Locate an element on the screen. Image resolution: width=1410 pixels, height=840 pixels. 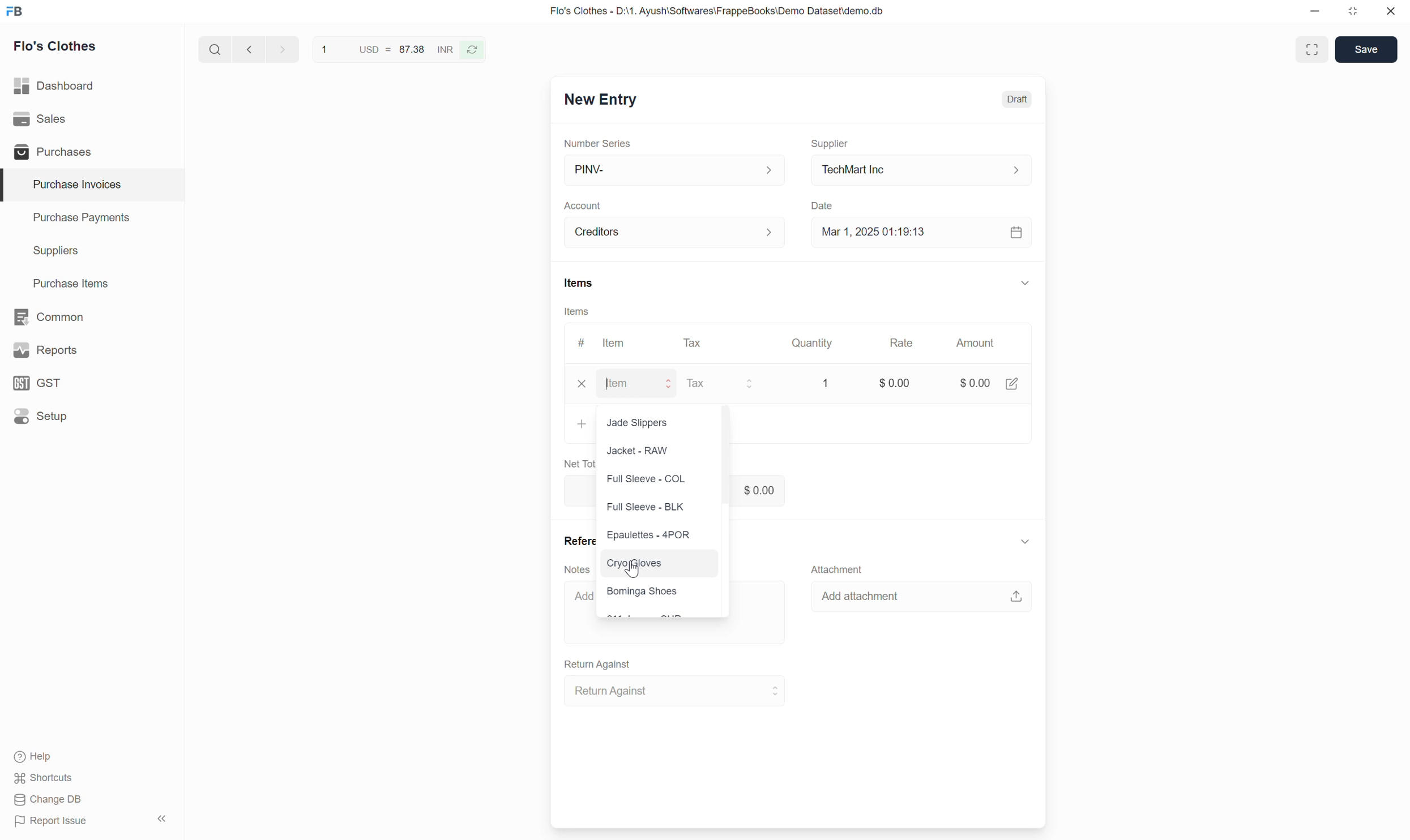
$0.00 is located at coordinates (758, 490).